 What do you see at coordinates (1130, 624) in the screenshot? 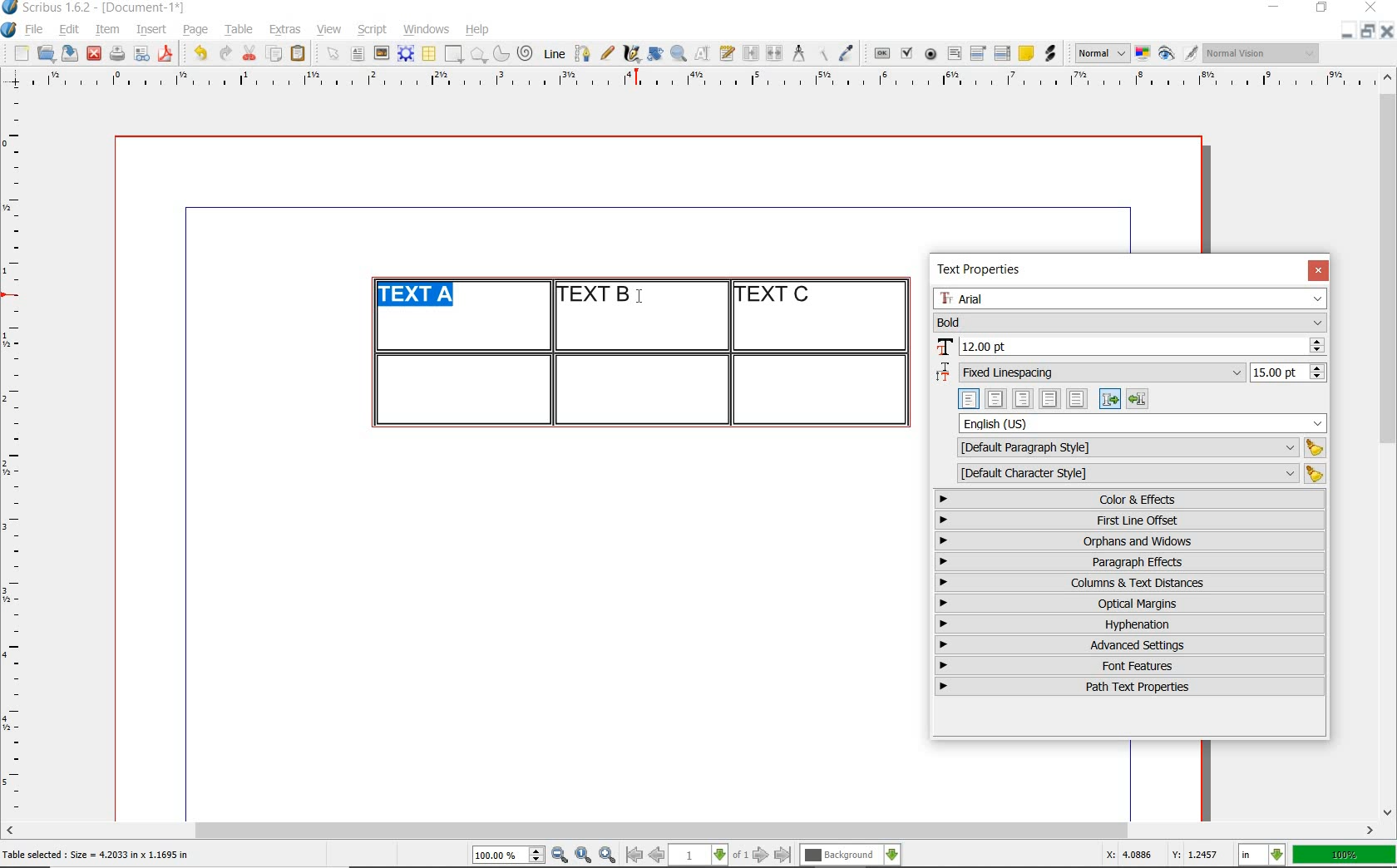
I see `hyphenation` at bounding box center [1130, 624].